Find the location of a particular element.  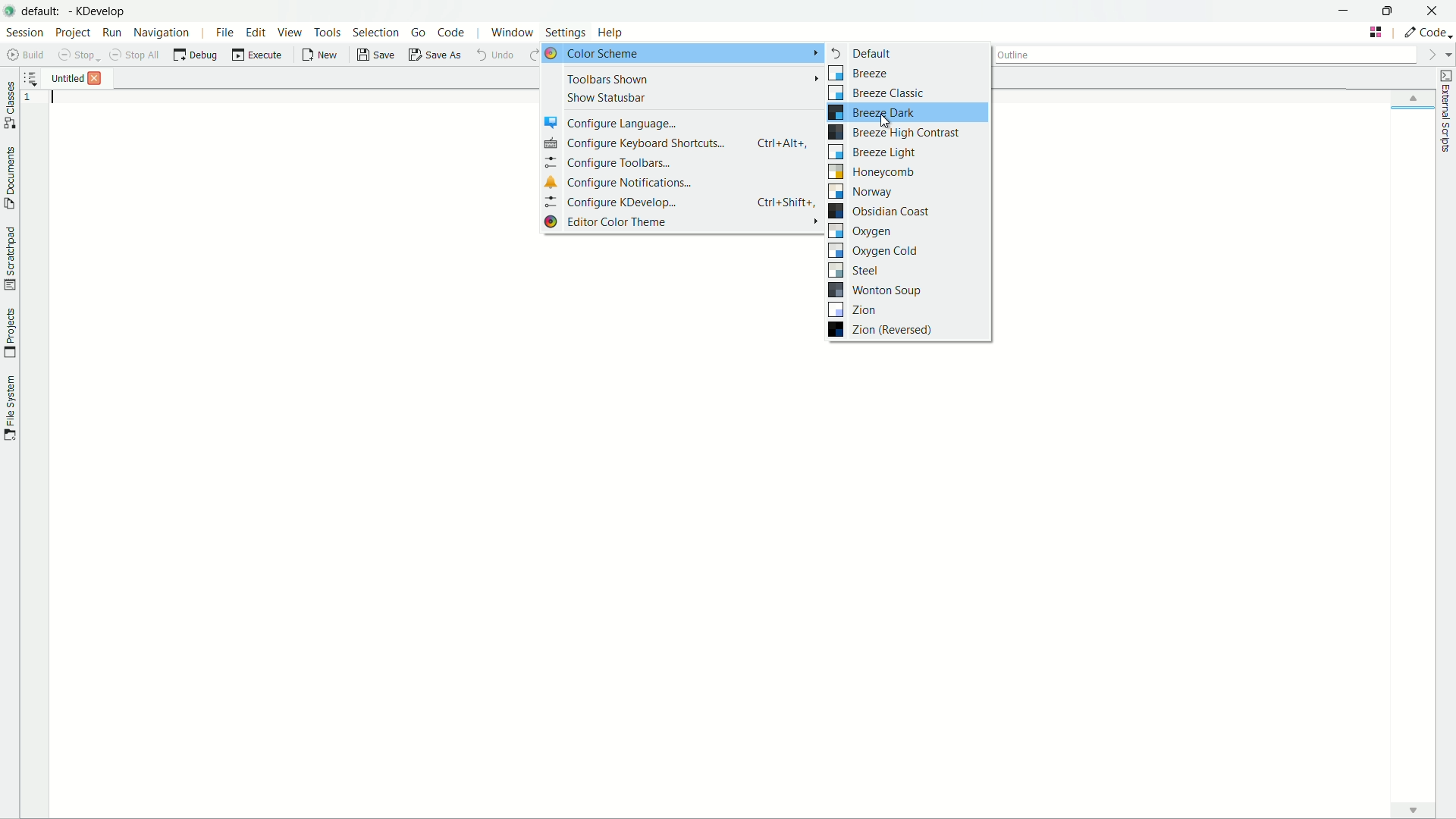

edit is located at coordinates (256, 33).